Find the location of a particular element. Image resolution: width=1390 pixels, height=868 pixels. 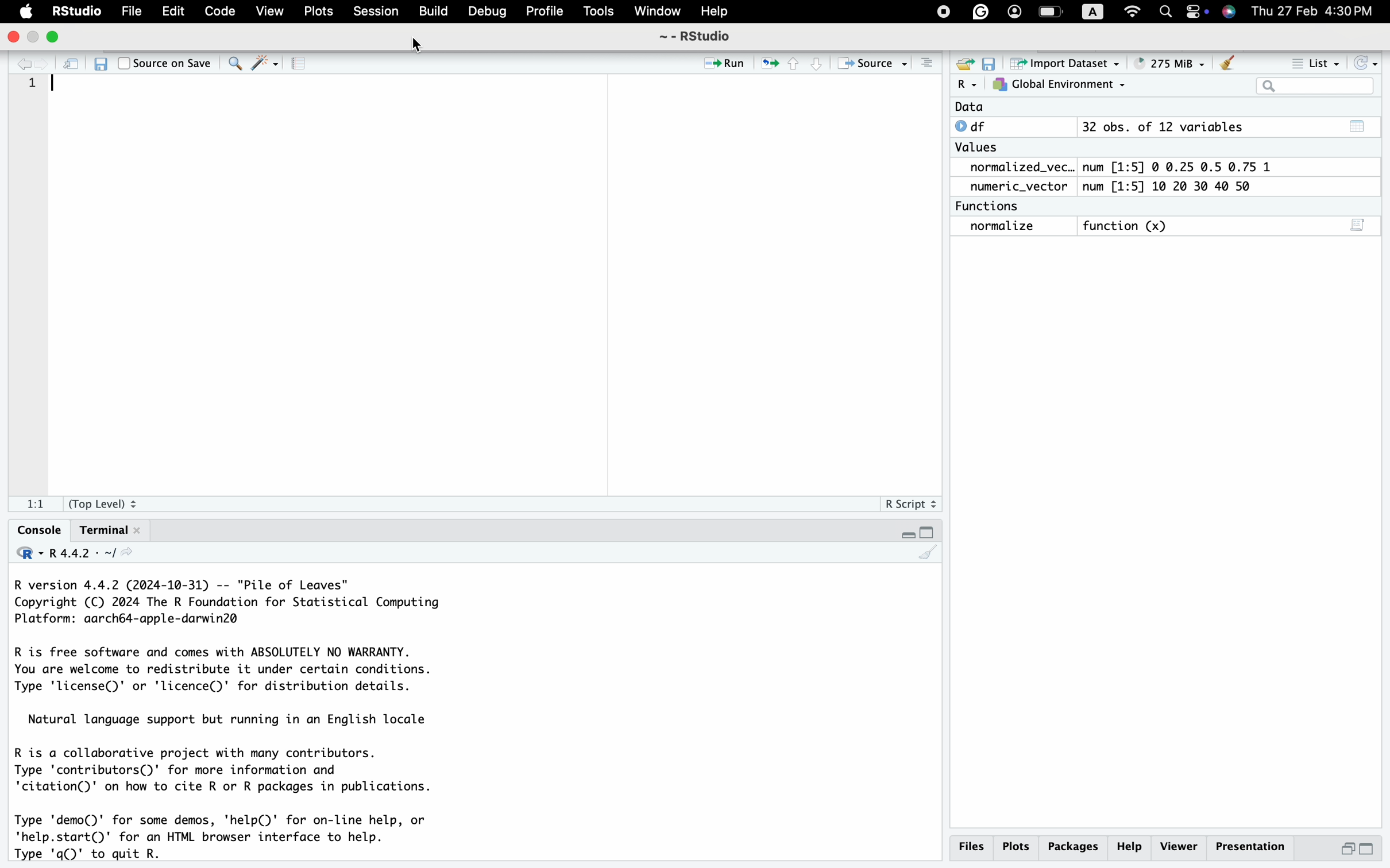

clear objects from the workspace is located at coordinates (1228, 63).